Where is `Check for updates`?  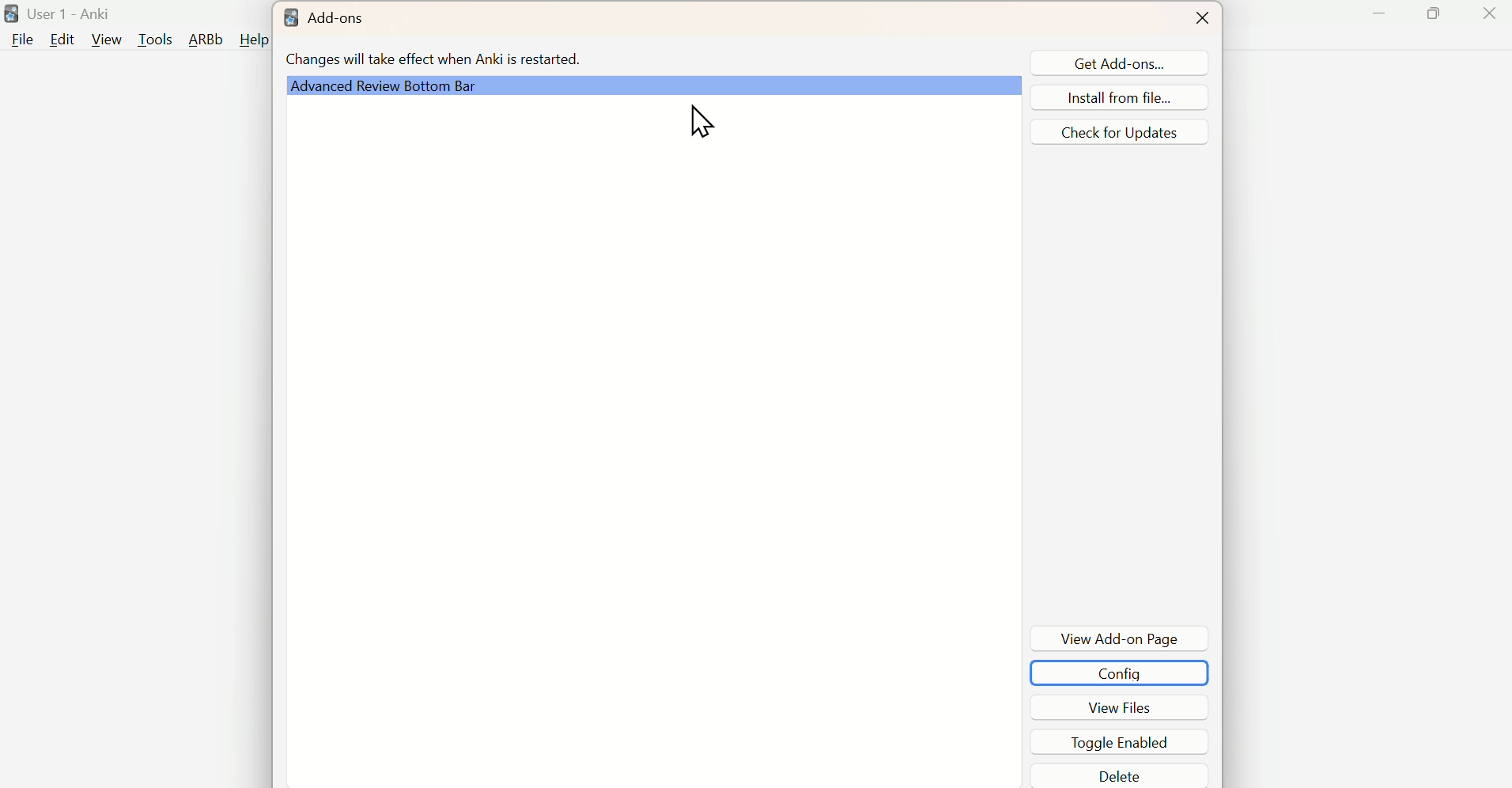
Check for updates is located at coordinates (1116, 134).